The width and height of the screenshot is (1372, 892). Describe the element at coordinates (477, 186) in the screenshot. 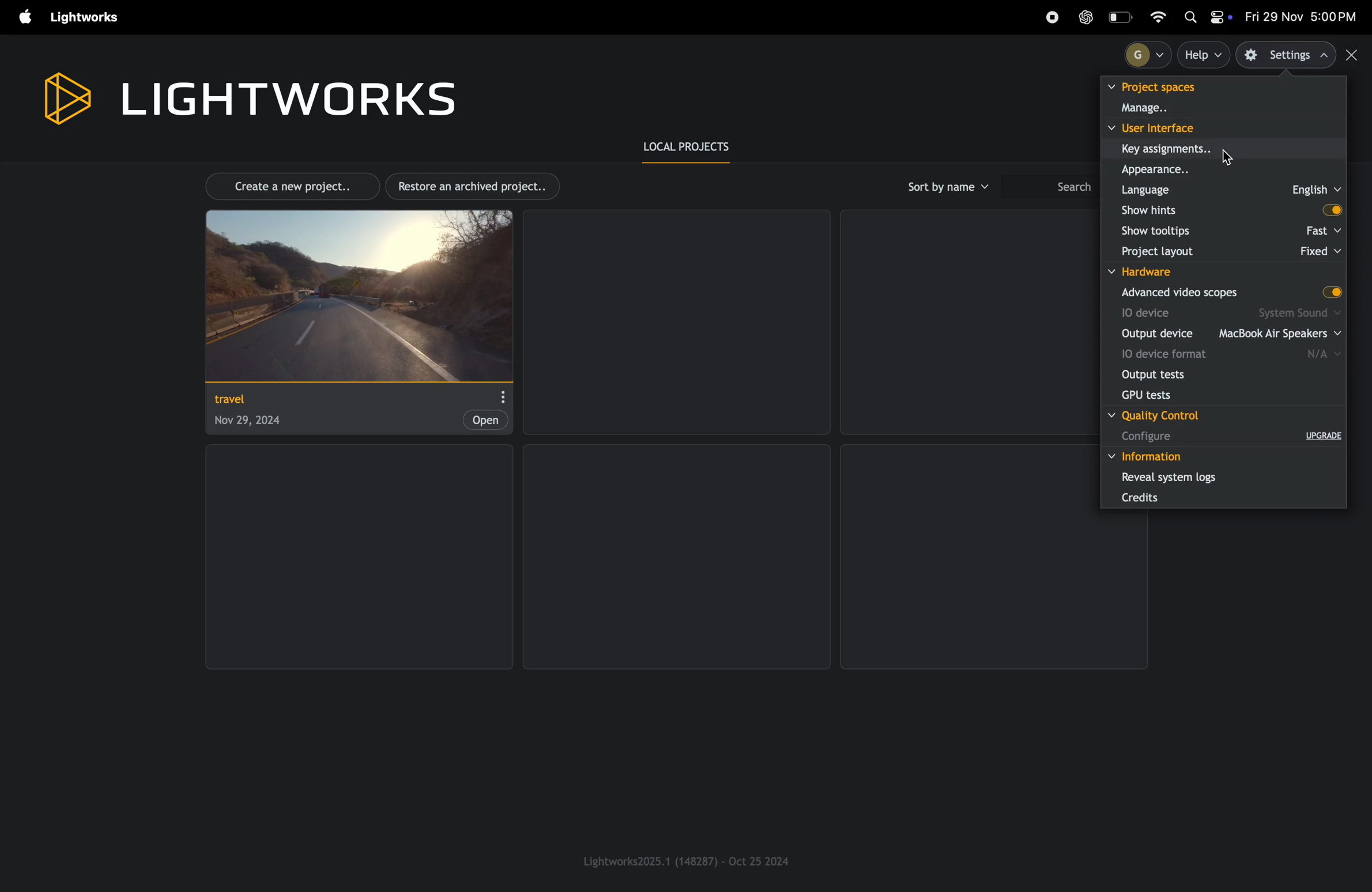

I see `restore archived projects` at that location.